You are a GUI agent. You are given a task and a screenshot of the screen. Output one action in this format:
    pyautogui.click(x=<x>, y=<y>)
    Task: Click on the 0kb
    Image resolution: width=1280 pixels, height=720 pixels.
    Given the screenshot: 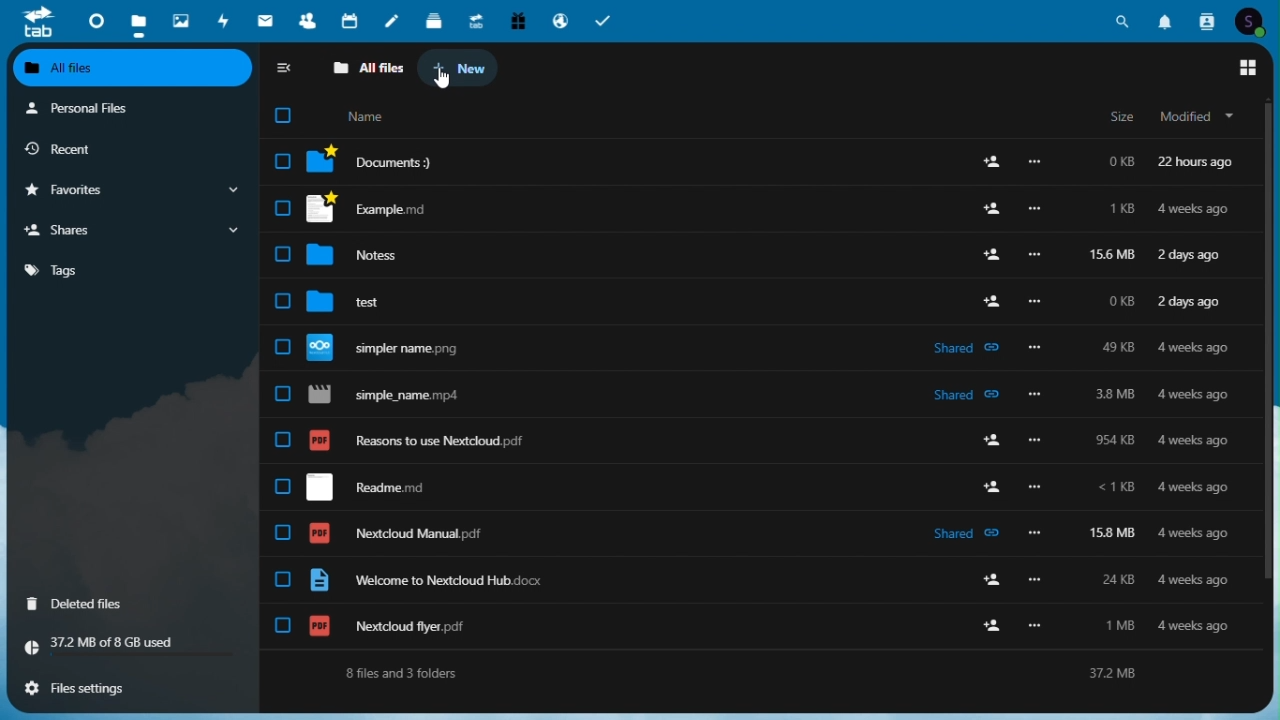 What is the action you would take?
    pyautogui.click(x=1116, y=301)
    